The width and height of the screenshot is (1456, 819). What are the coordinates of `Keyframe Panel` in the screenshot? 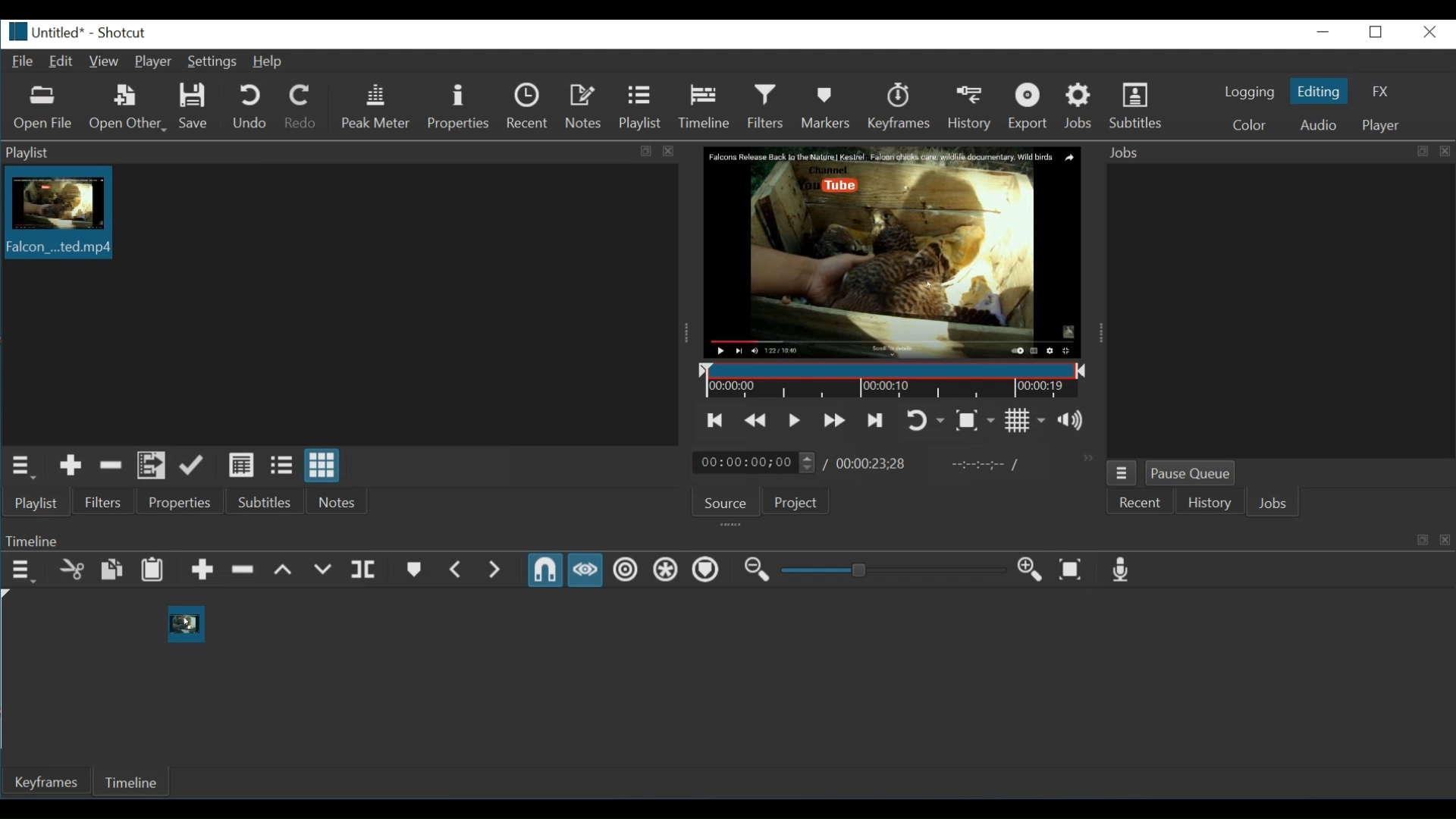 It's located at (724, 540).